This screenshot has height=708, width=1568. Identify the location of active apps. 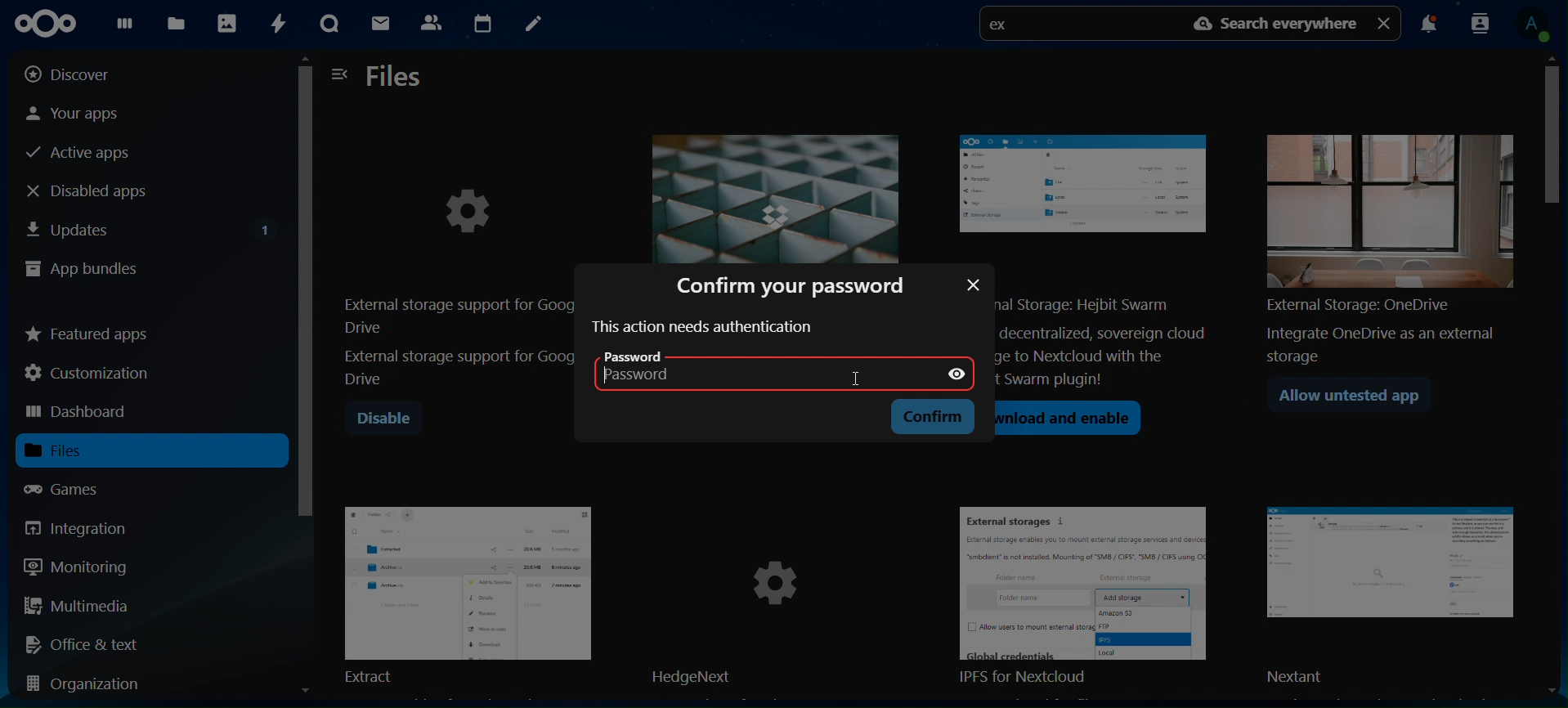
(85, 154).